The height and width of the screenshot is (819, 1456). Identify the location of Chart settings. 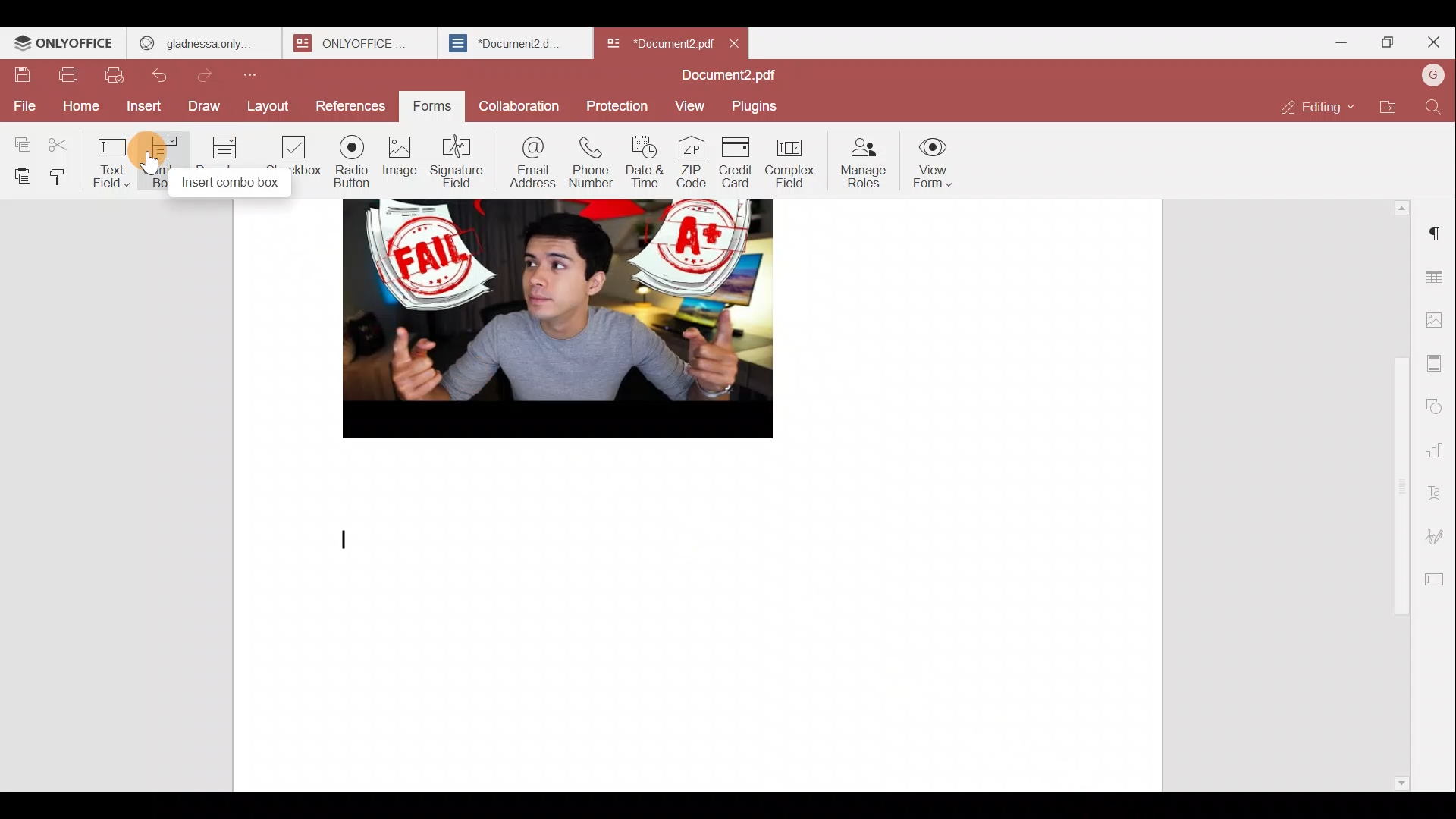
(1439, 452).